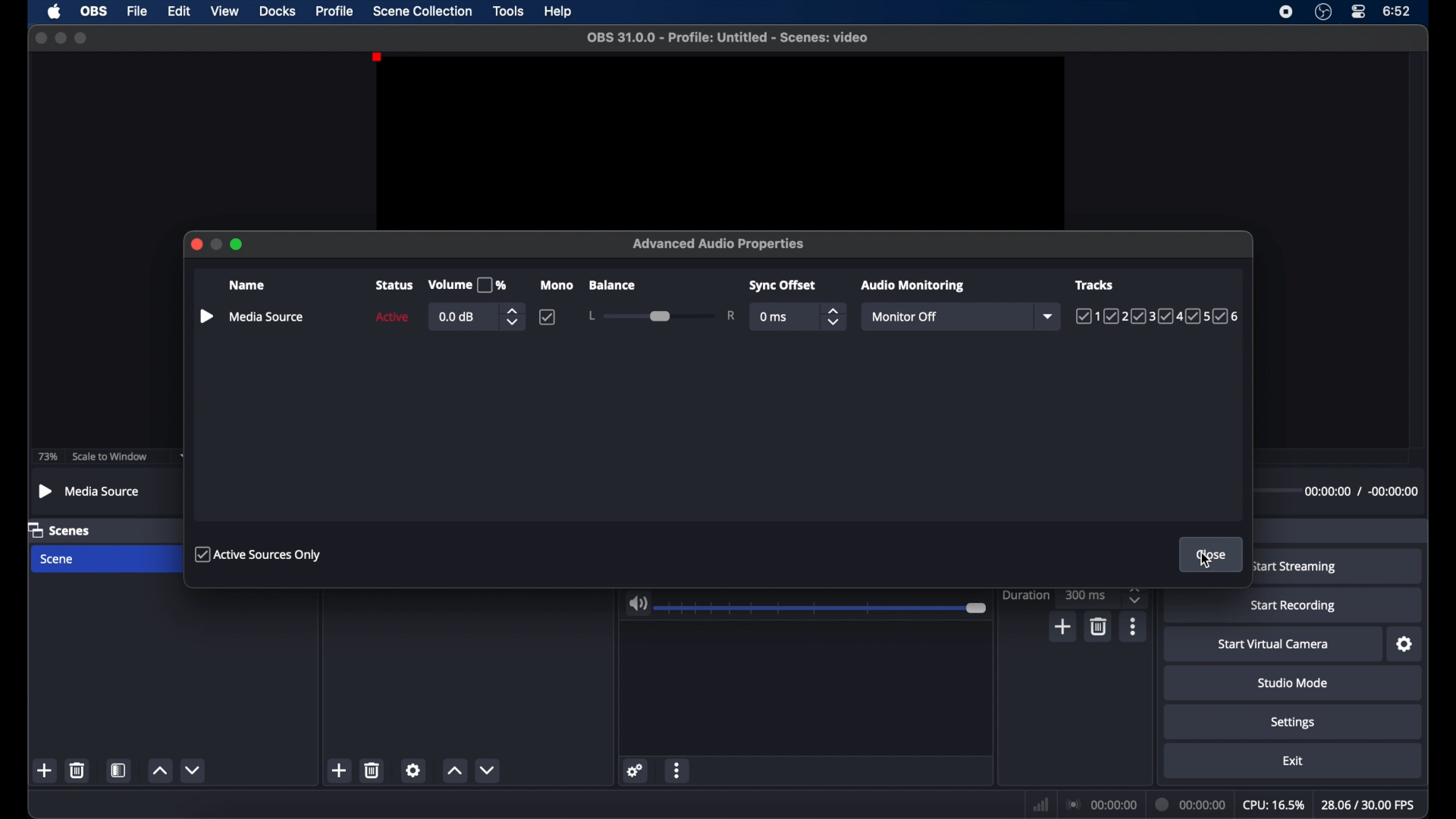 This screenshot has height=819, width=1456. I want to click on dropdown, so click(1050, 316).